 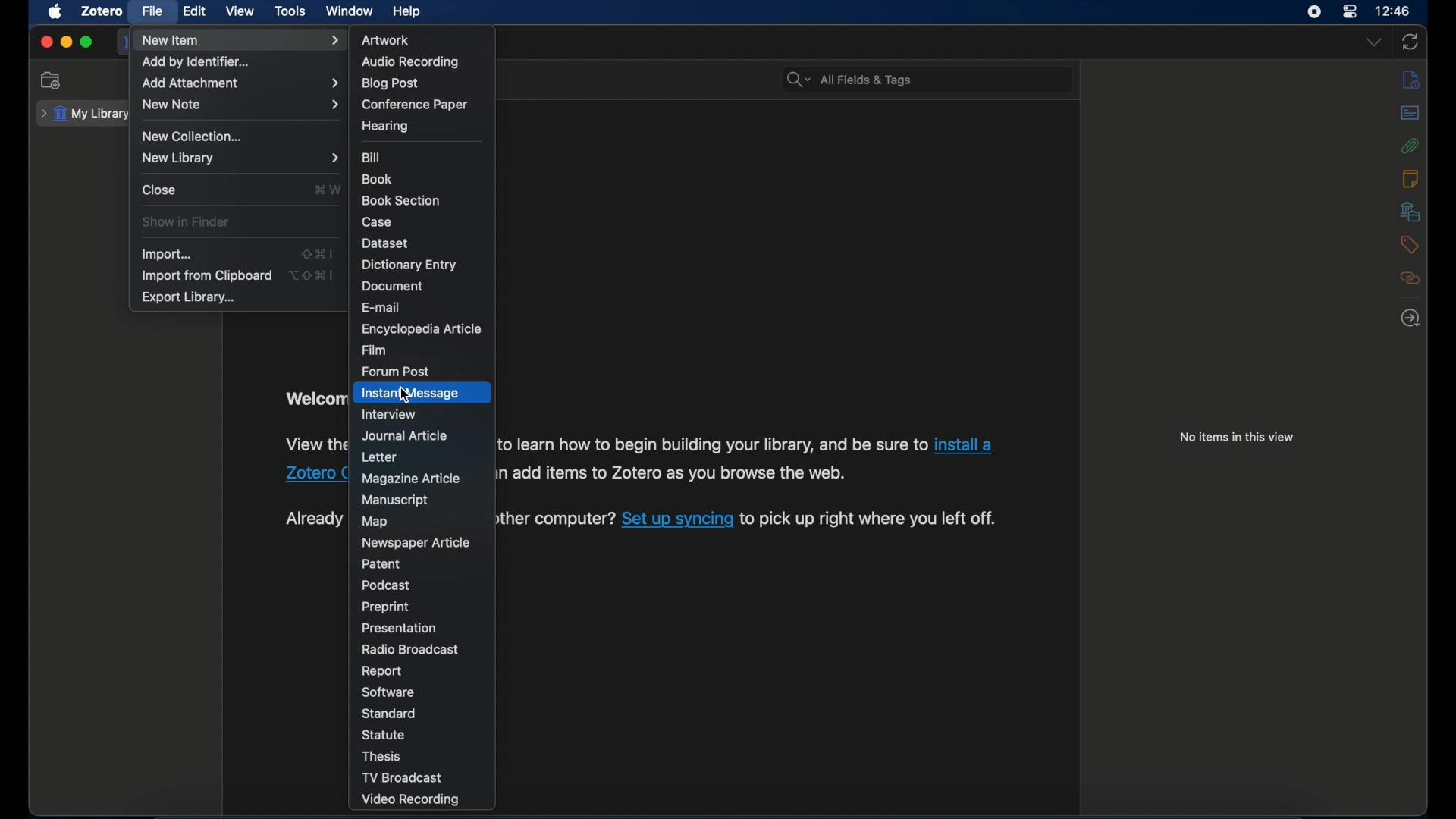 What do you see at coordinates (52, 80) in the screenshot?
I see `new collection` at bounding box center [52, 80].